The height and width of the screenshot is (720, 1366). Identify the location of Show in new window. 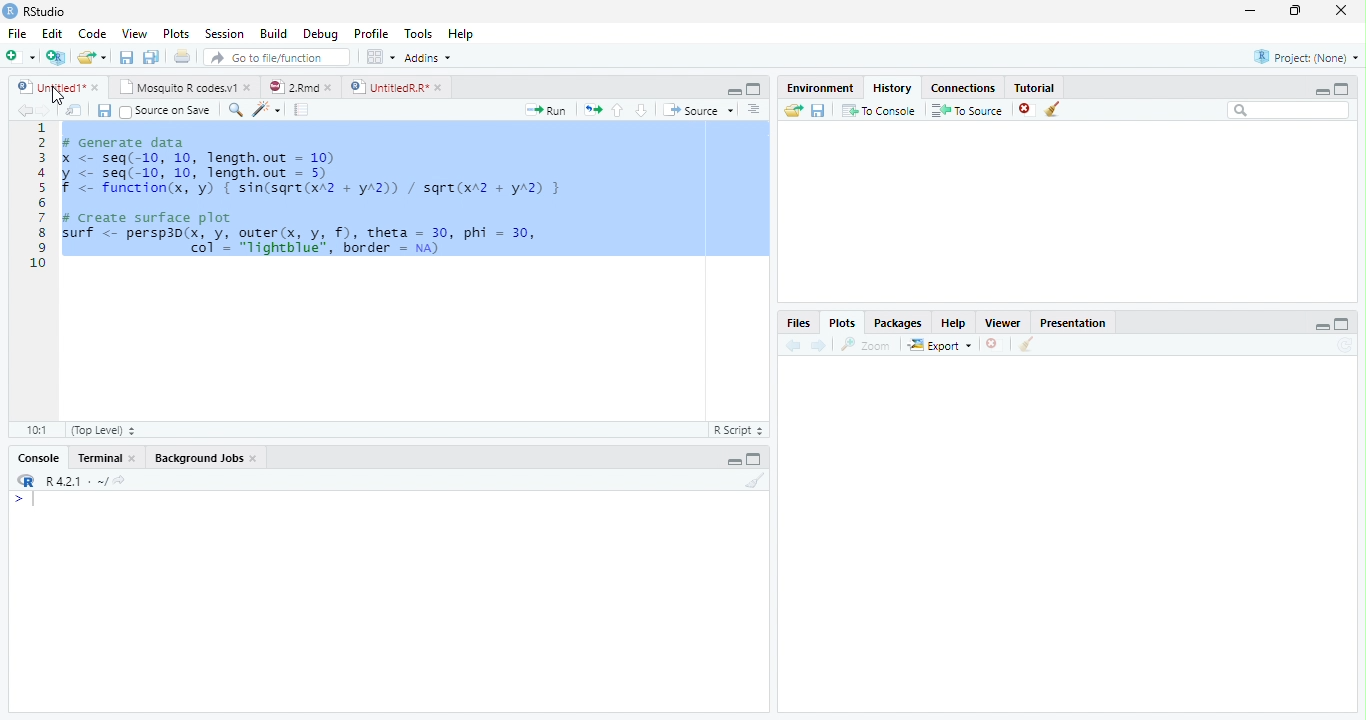
(73, 110).